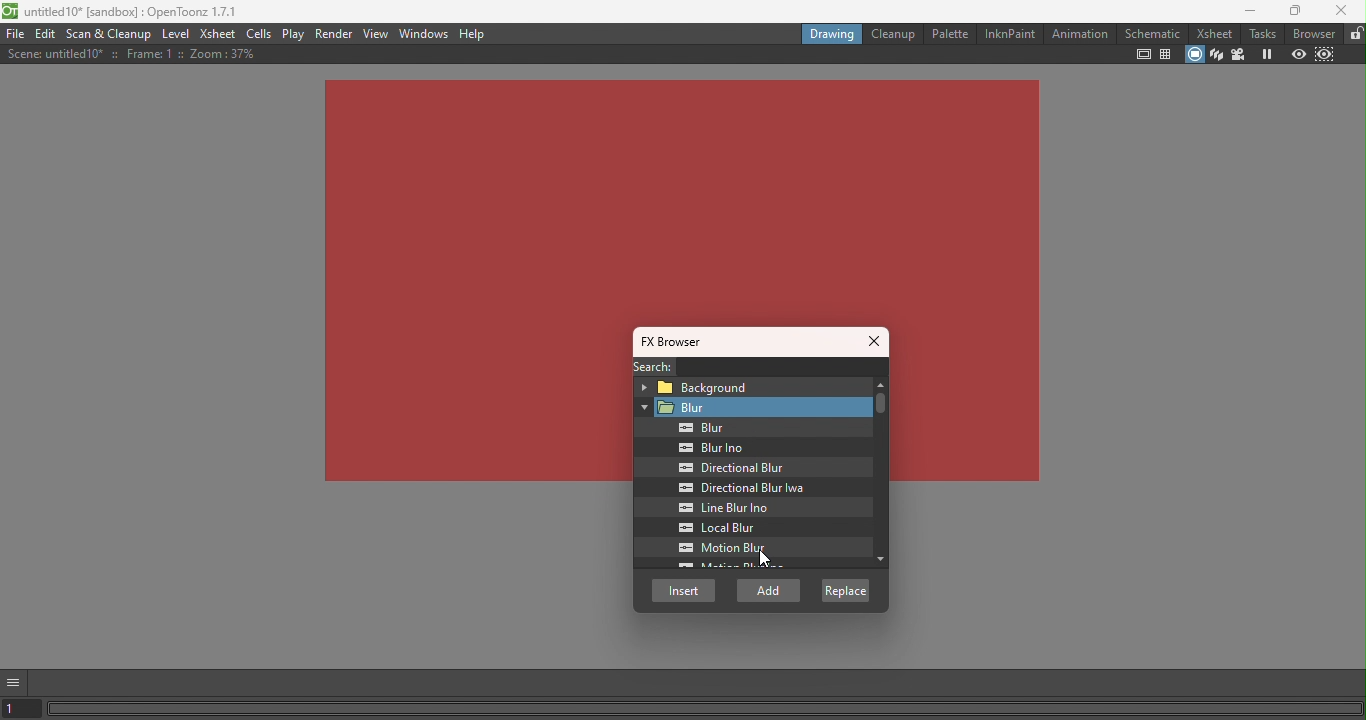 Image resolution: width=1366 pixels, height=720 pixels. What do you see at coordinates (693, 428) in the screenshot?
I see `Blur` at bounding box center [693, 428].